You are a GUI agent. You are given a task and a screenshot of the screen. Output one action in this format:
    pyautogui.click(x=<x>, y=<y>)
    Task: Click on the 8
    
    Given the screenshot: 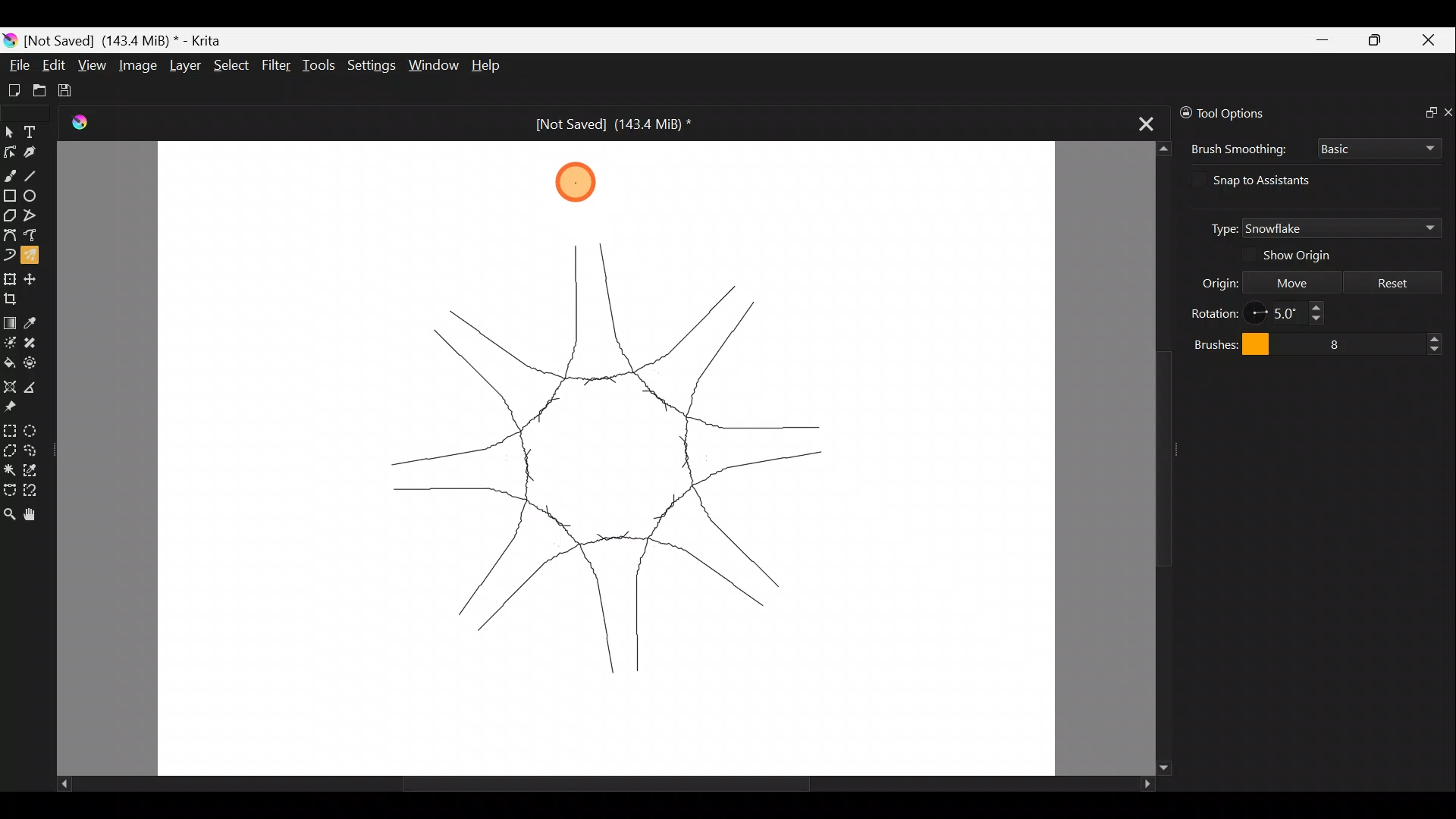 What is the action you would take?
    pyautogui.click(x=1370, y=341)
    